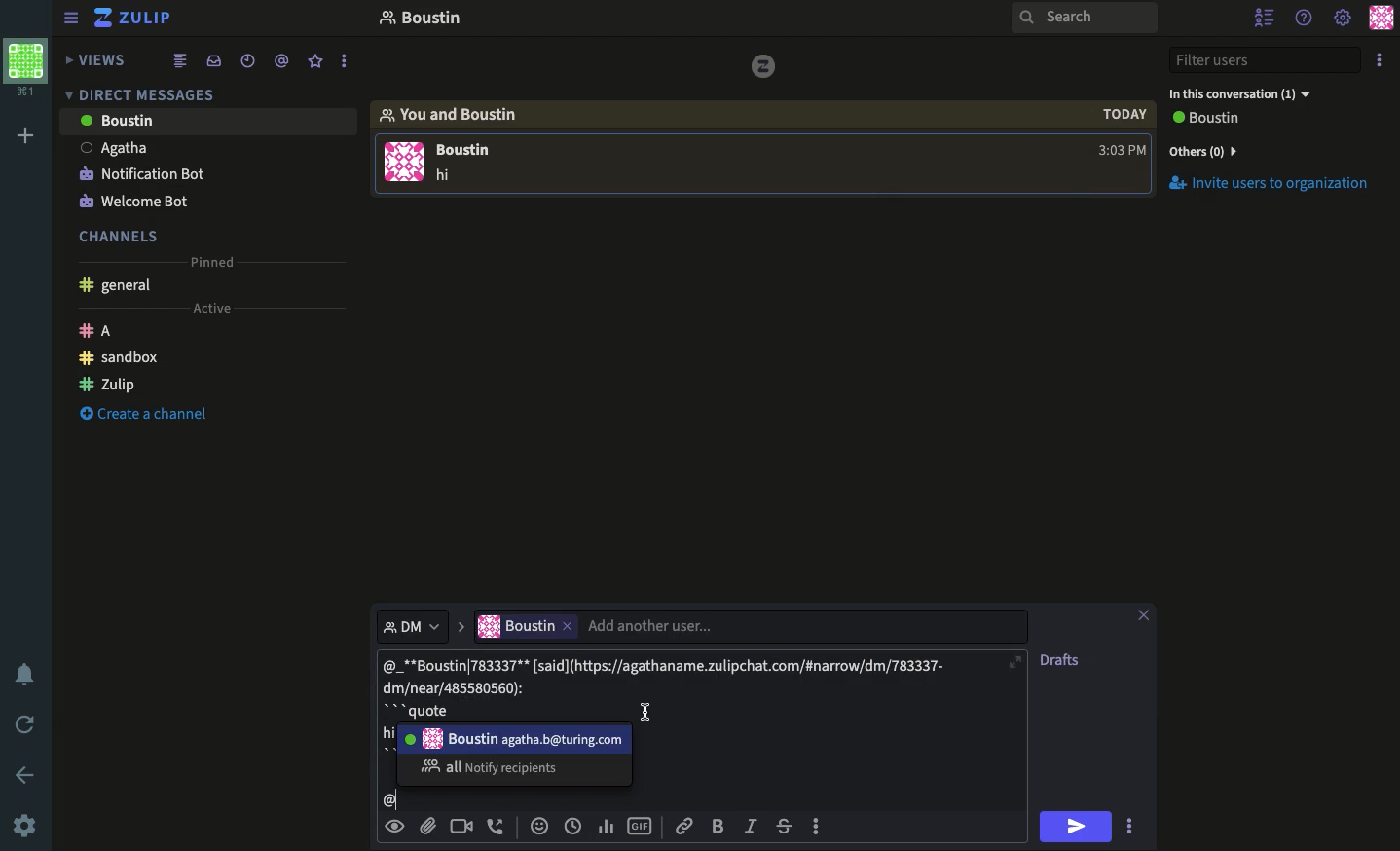 Image resolution: width=1400 pixels, height=851 pixels. Describe the element at coordinates (752, 828) in the screenshot. I see `Italics` at that location.